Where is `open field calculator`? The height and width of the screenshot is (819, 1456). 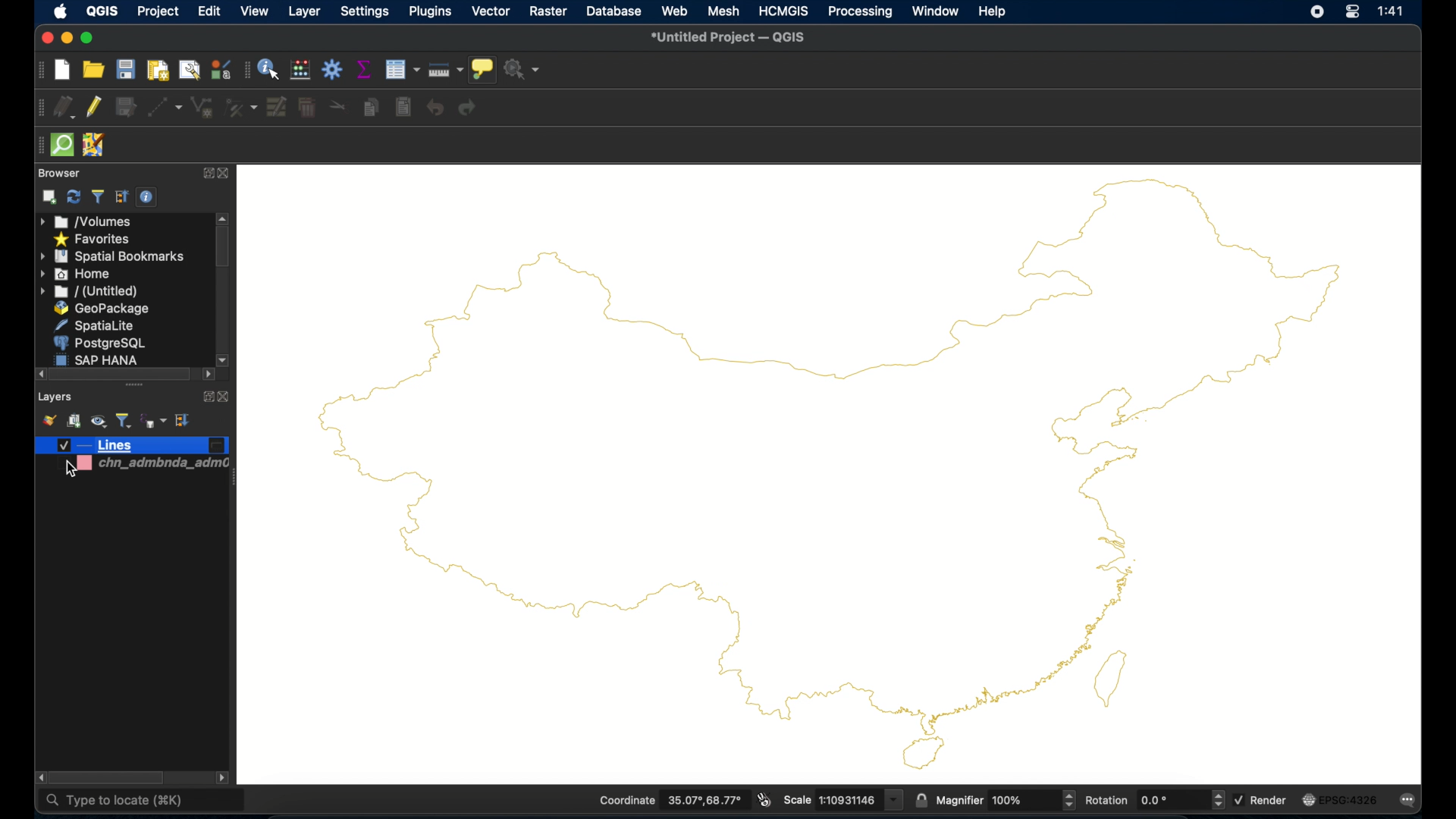 open field calculator is located at coordinates (300, 69).